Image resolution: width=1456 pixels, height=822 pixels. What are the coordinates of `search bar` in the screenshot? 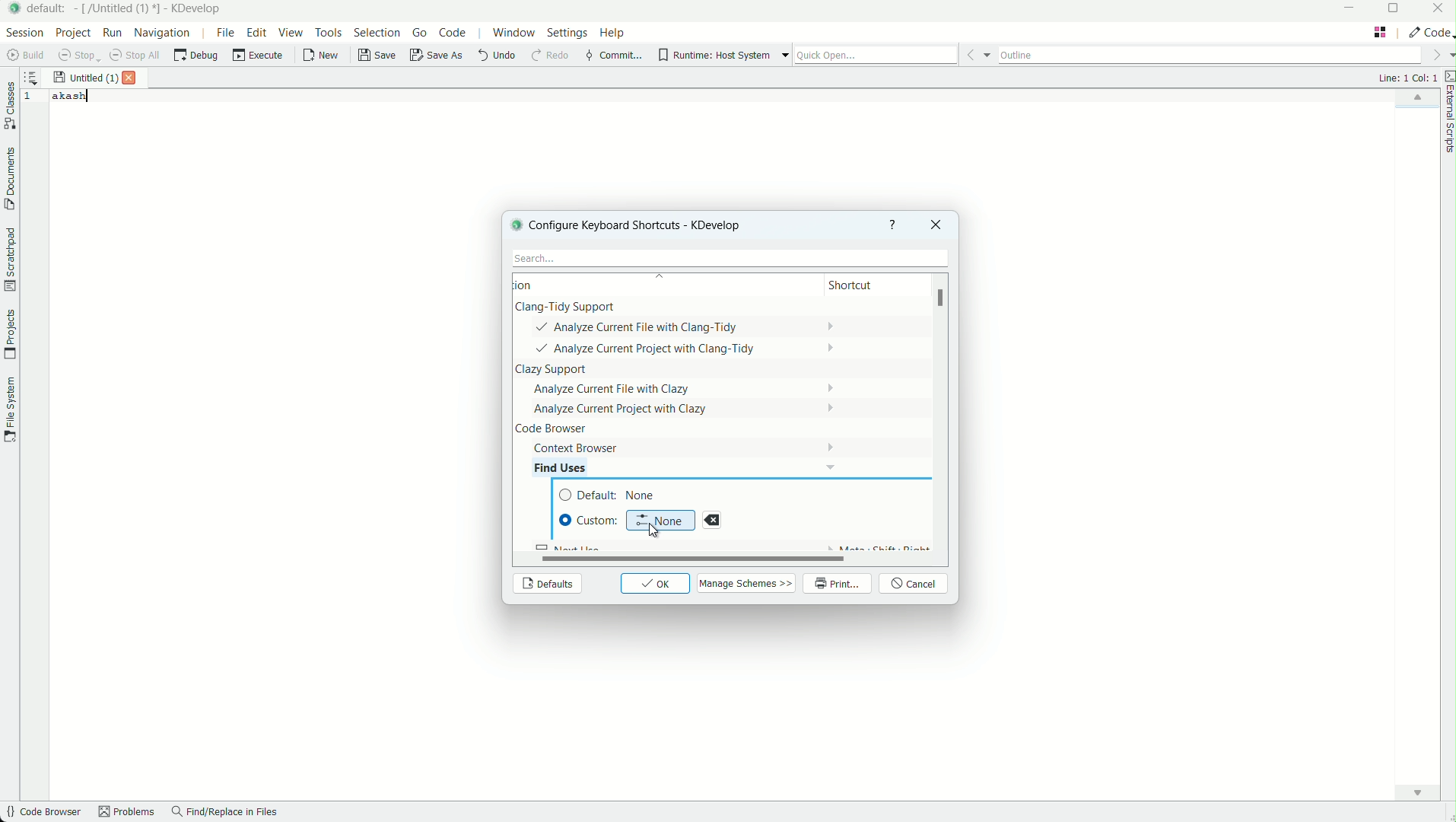 It's located at (726, 258).